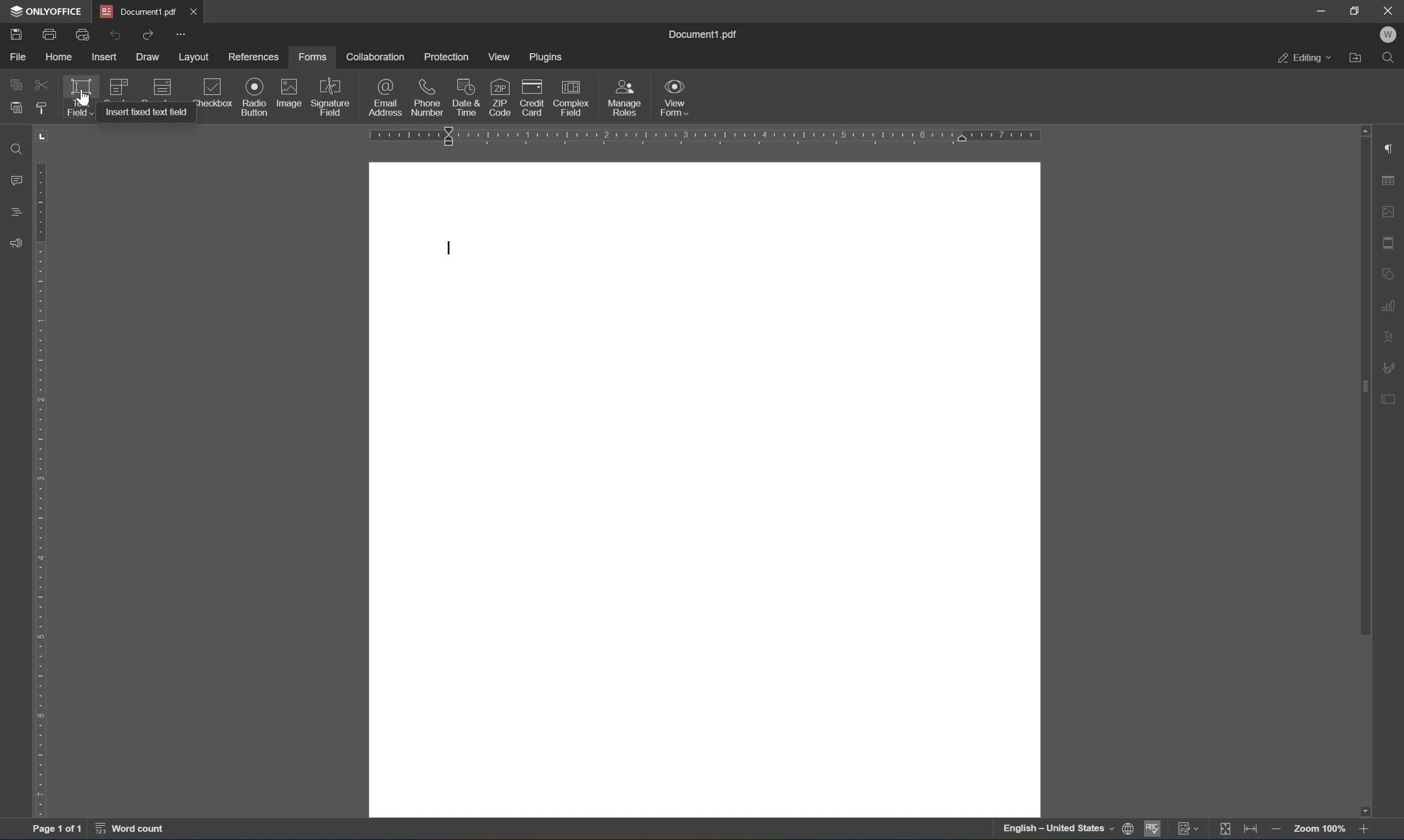  Describe the element at coordinates (378, 57) in the screenshot. I see `collaboration` at that location.